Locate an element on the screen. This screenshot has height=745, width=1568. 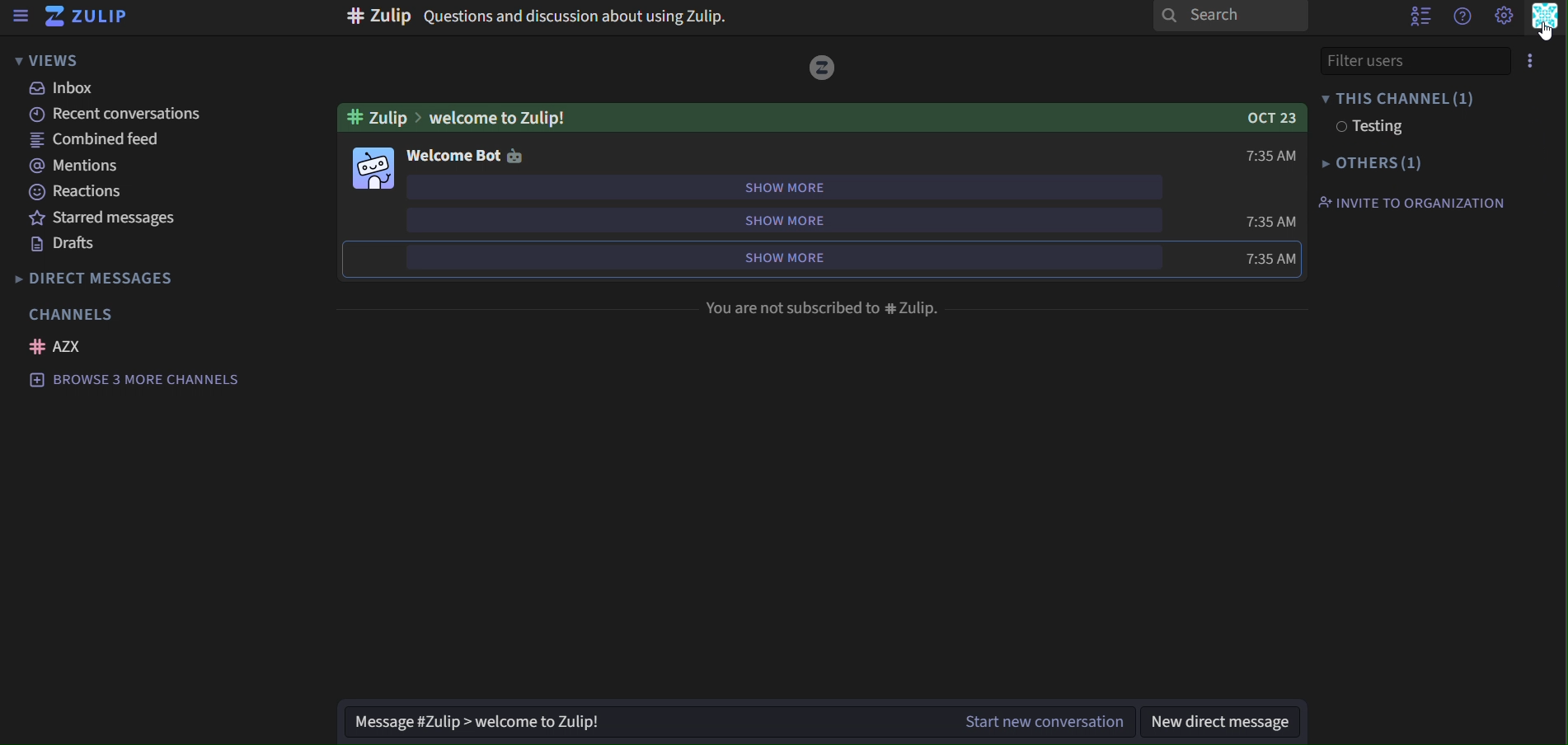
get help is located at coordinates (1461, 18).